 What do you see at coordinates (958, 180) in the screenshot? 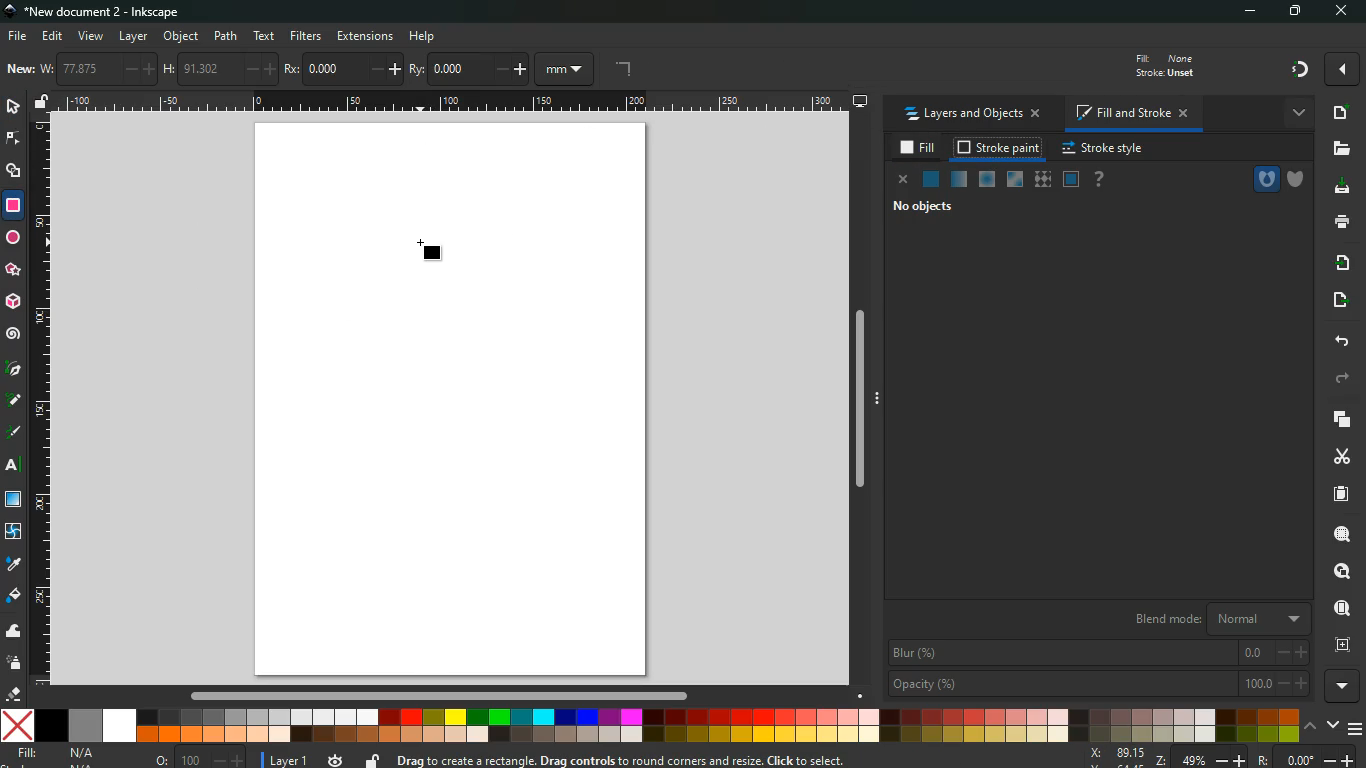
I see `opacity` at bounding box center [958, 180].